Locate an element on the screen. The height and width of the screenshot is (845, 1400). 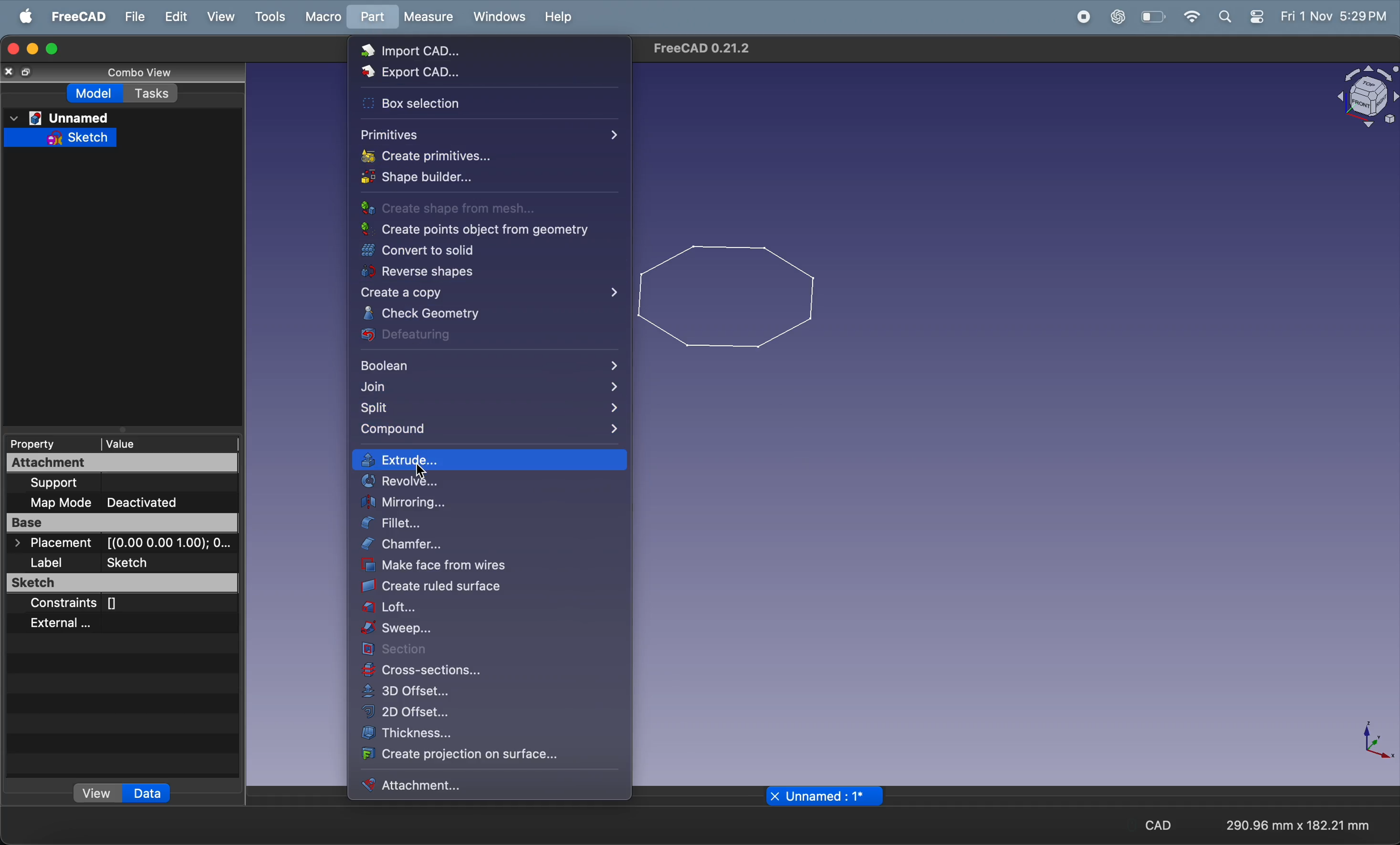
record is located at coordinates (1086, 18).